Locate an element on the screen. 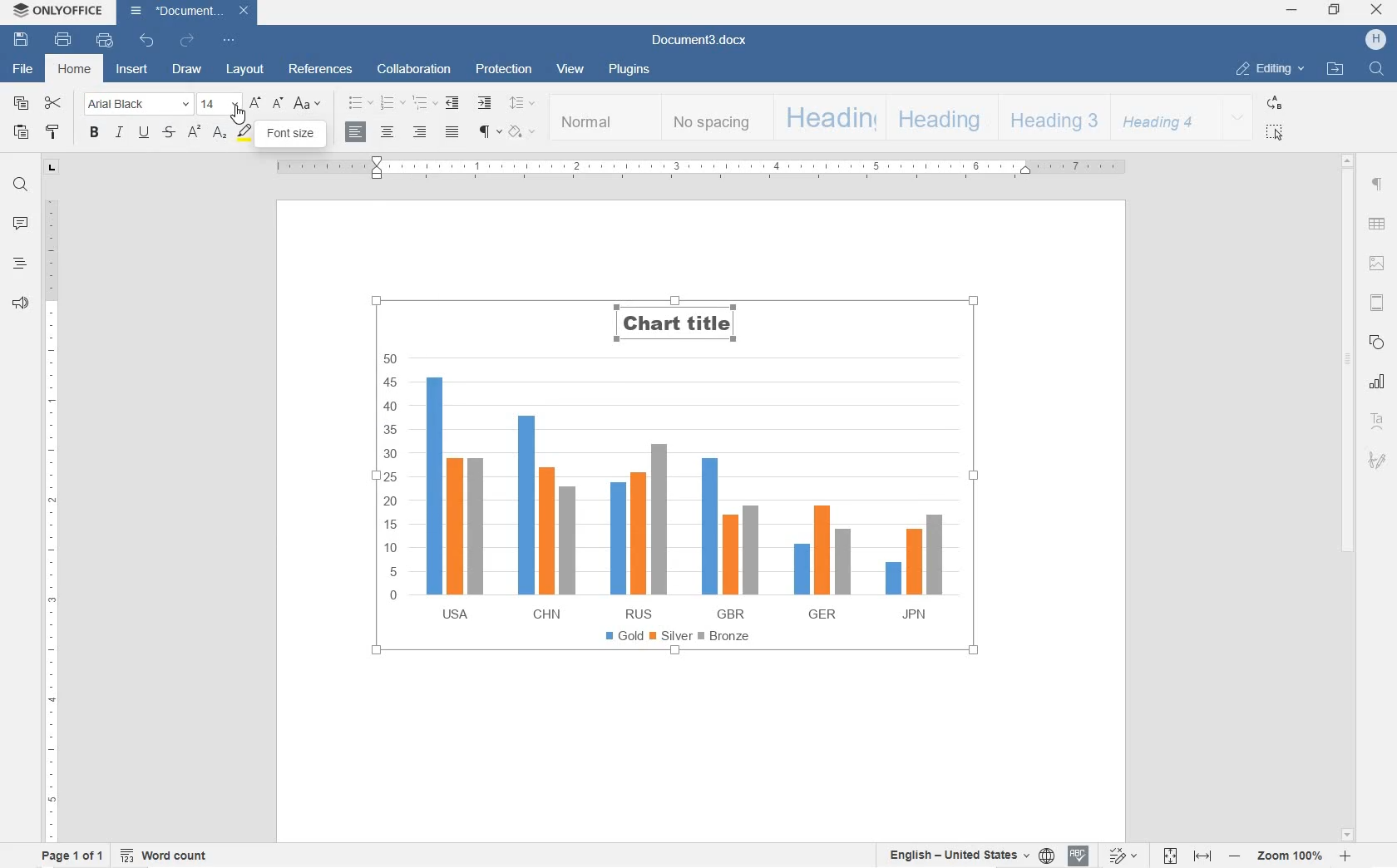 Image resolution: width=1397 pixels, height=868 pixels. CHANGE CASE is located at coordinates (308, 103).